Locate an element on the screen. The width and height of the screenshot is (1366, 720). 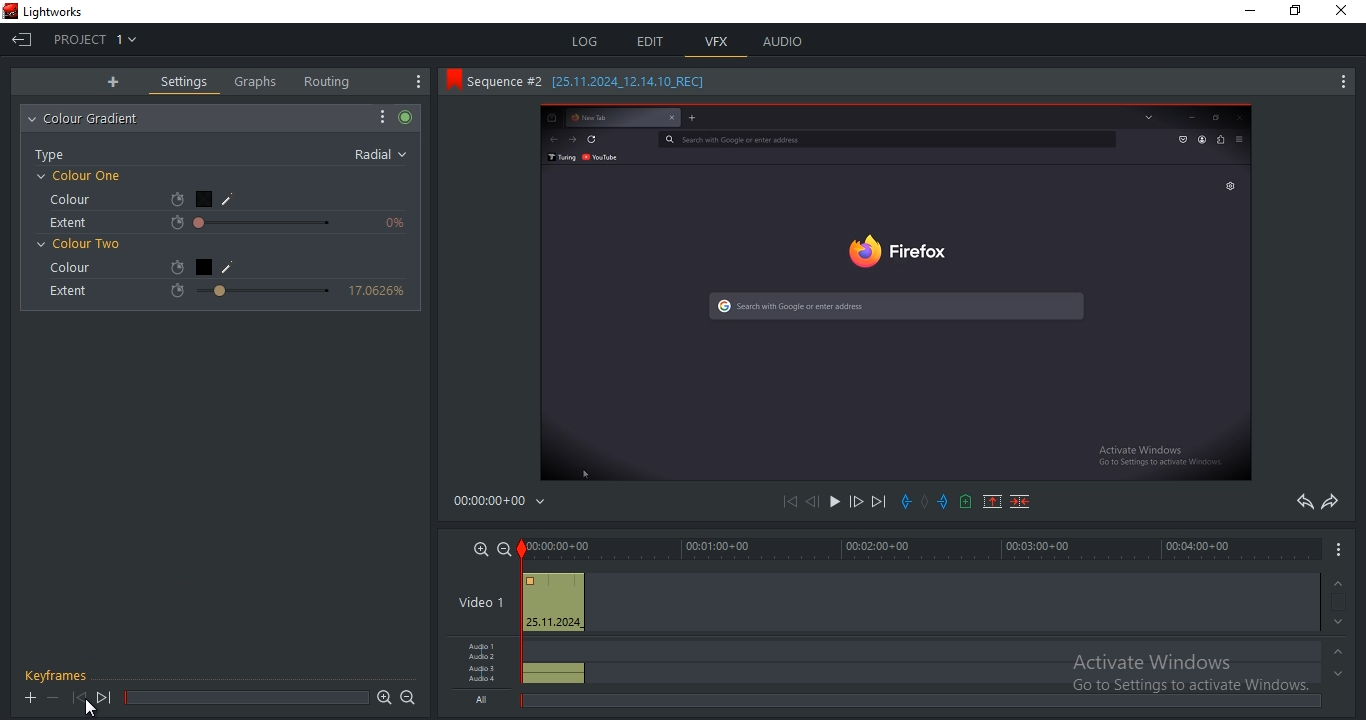
Nudge one frame forward is located at coordinates (860, 501).